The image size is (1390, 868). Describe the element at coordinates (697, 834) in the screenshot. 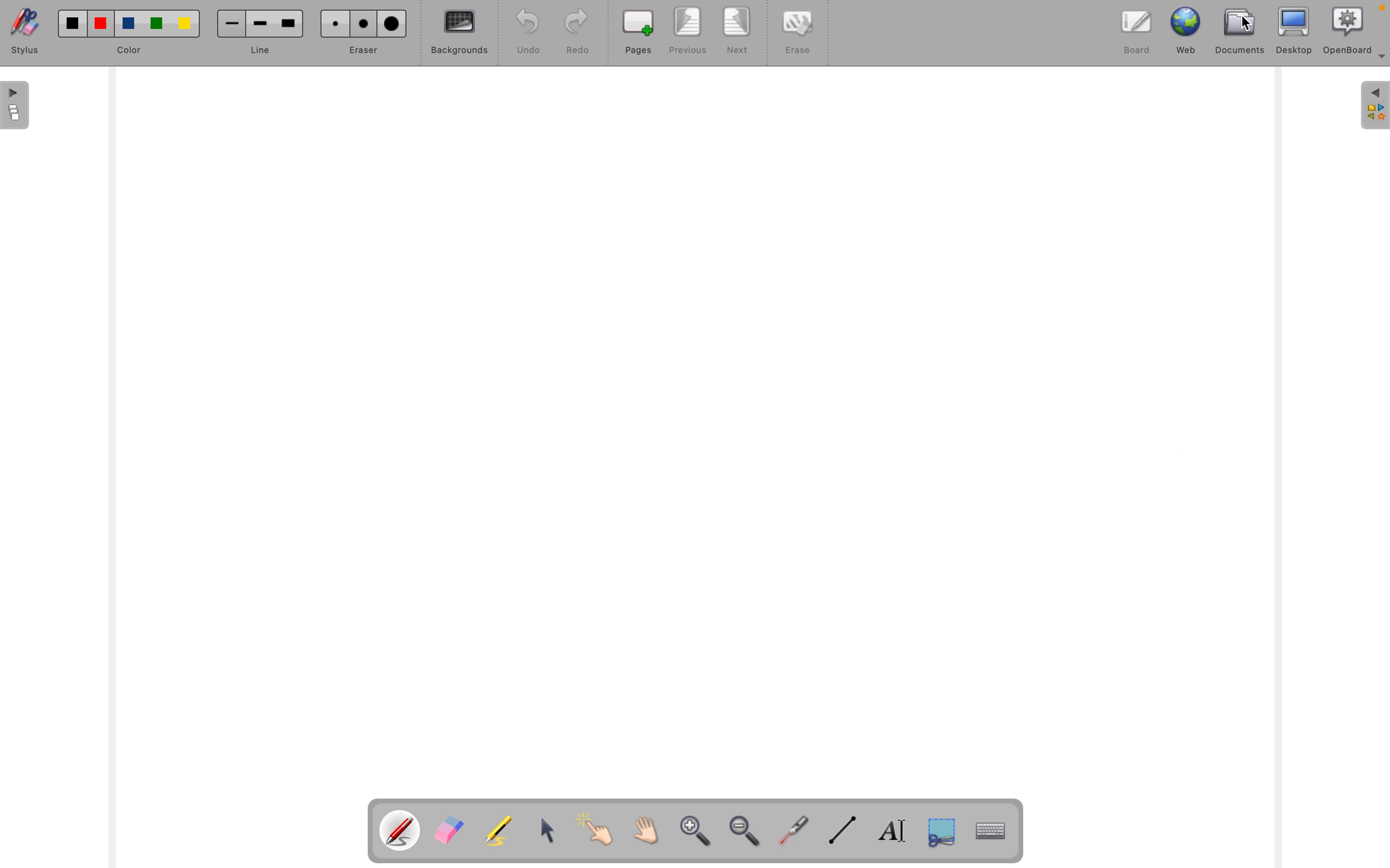

I see `zoom in` at that location.